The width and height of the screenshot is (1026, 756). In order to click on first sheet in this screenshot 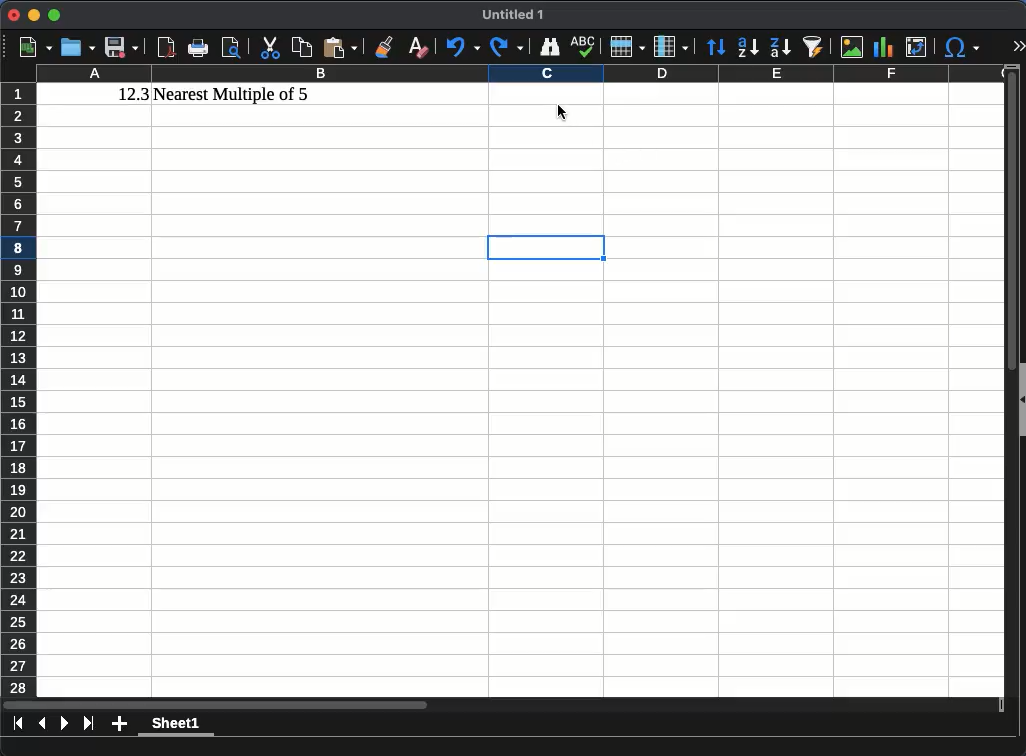, I will do `click(20, 723)`.